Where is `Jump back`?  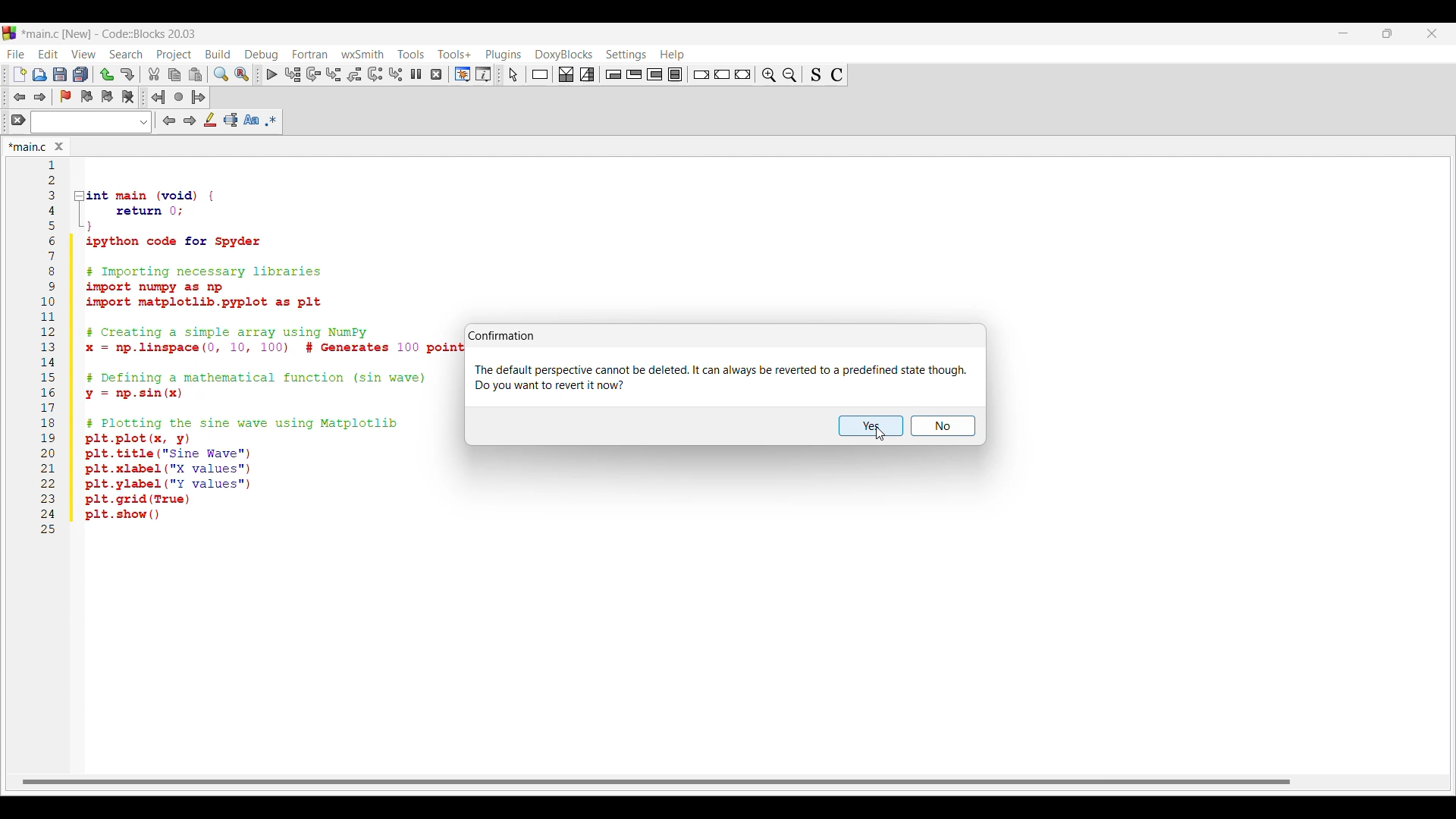
Jump back is located at coordinates (158, 97).